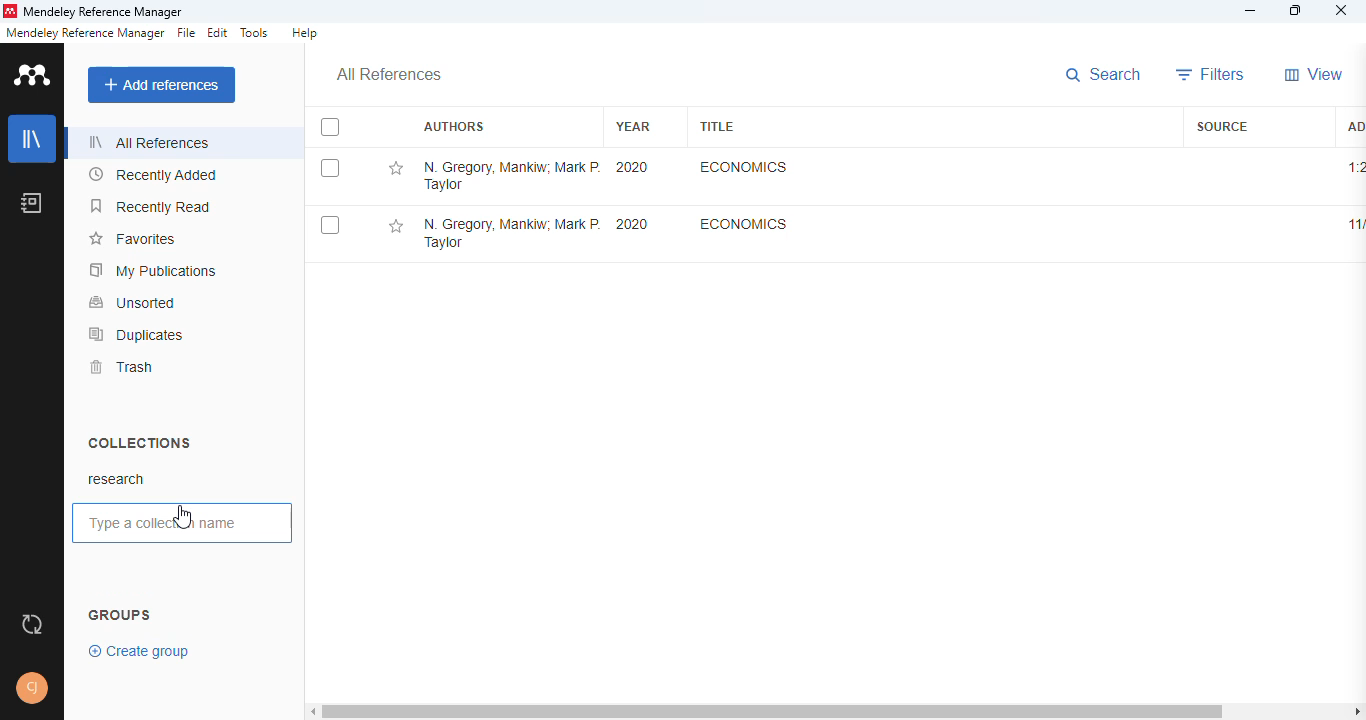  Describe the element at coordinates (1252, 11) in the screenshot. I see `minimize` at that location.